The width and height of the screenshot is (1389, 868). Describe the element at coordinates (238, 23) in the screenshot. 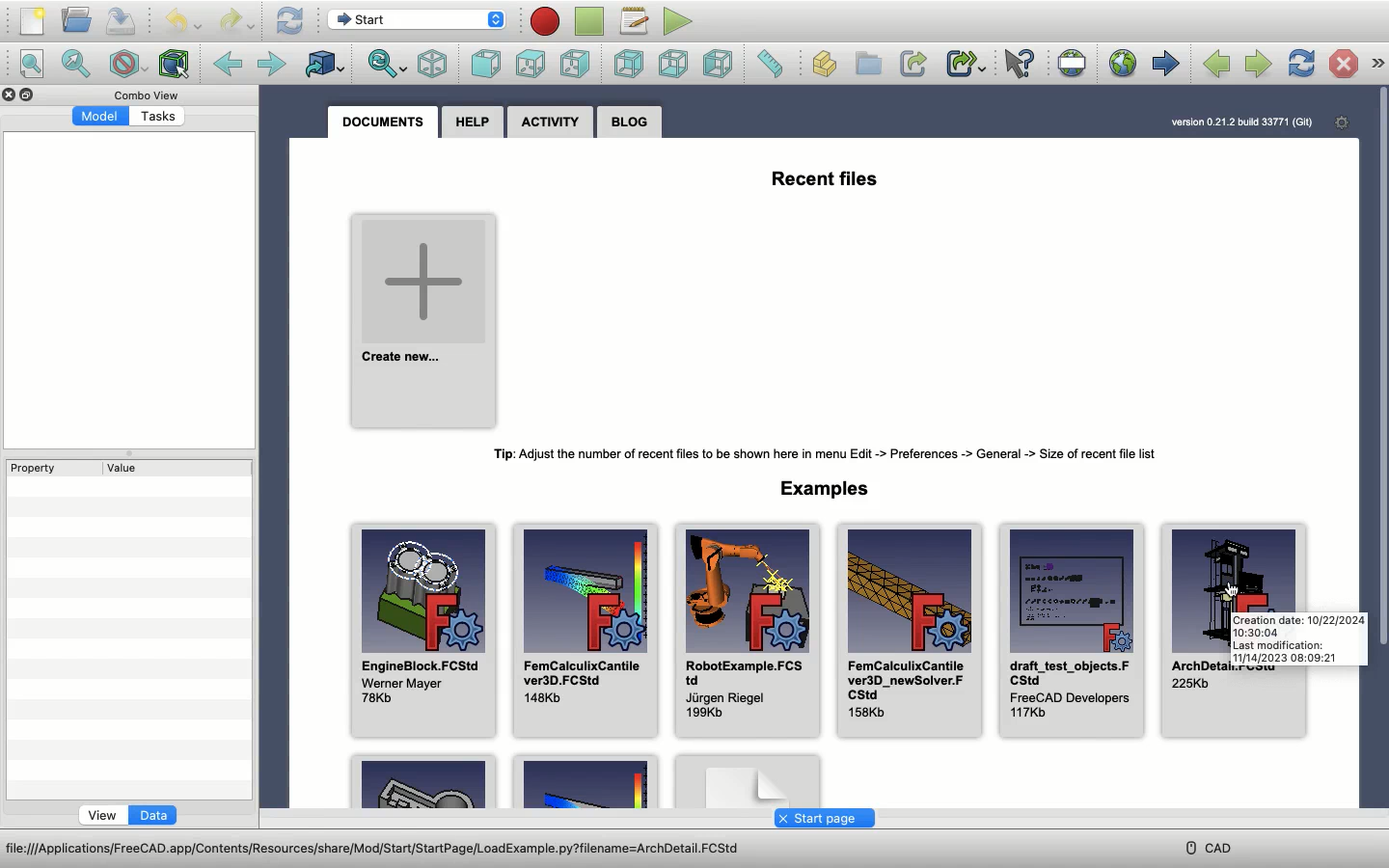

I see `Redo` at that location.